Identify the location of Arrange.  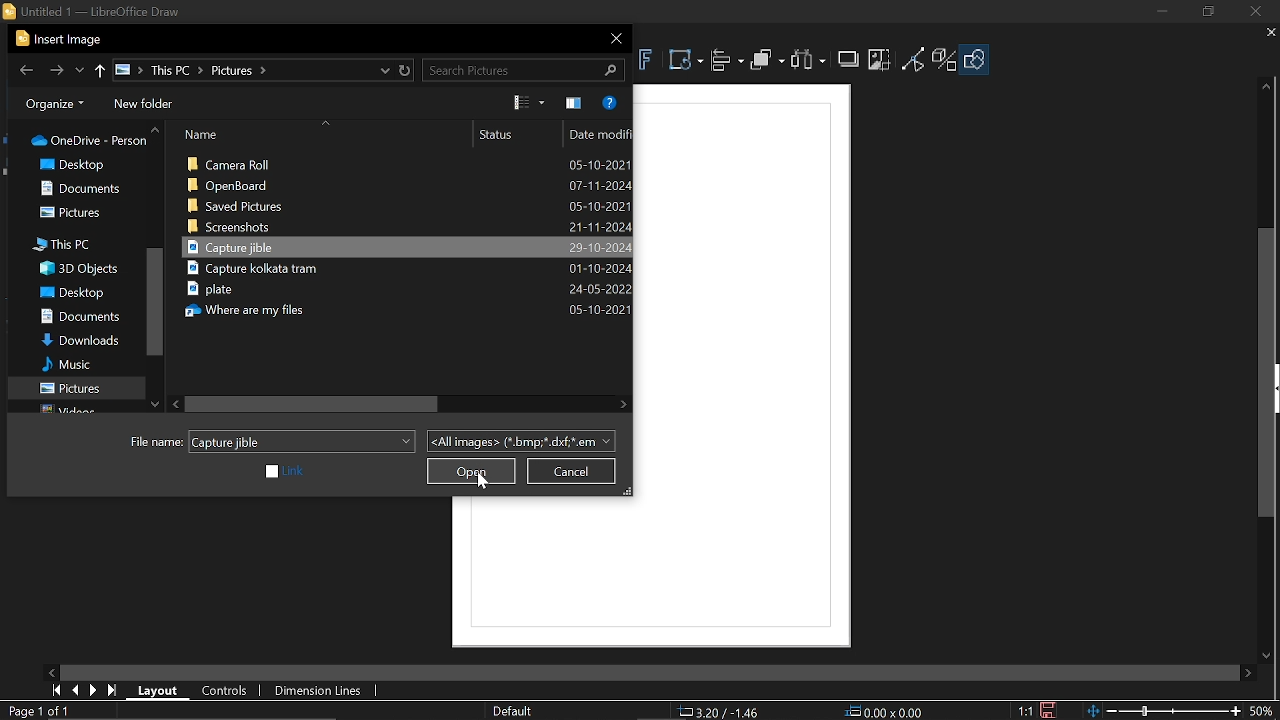
(768, 63).